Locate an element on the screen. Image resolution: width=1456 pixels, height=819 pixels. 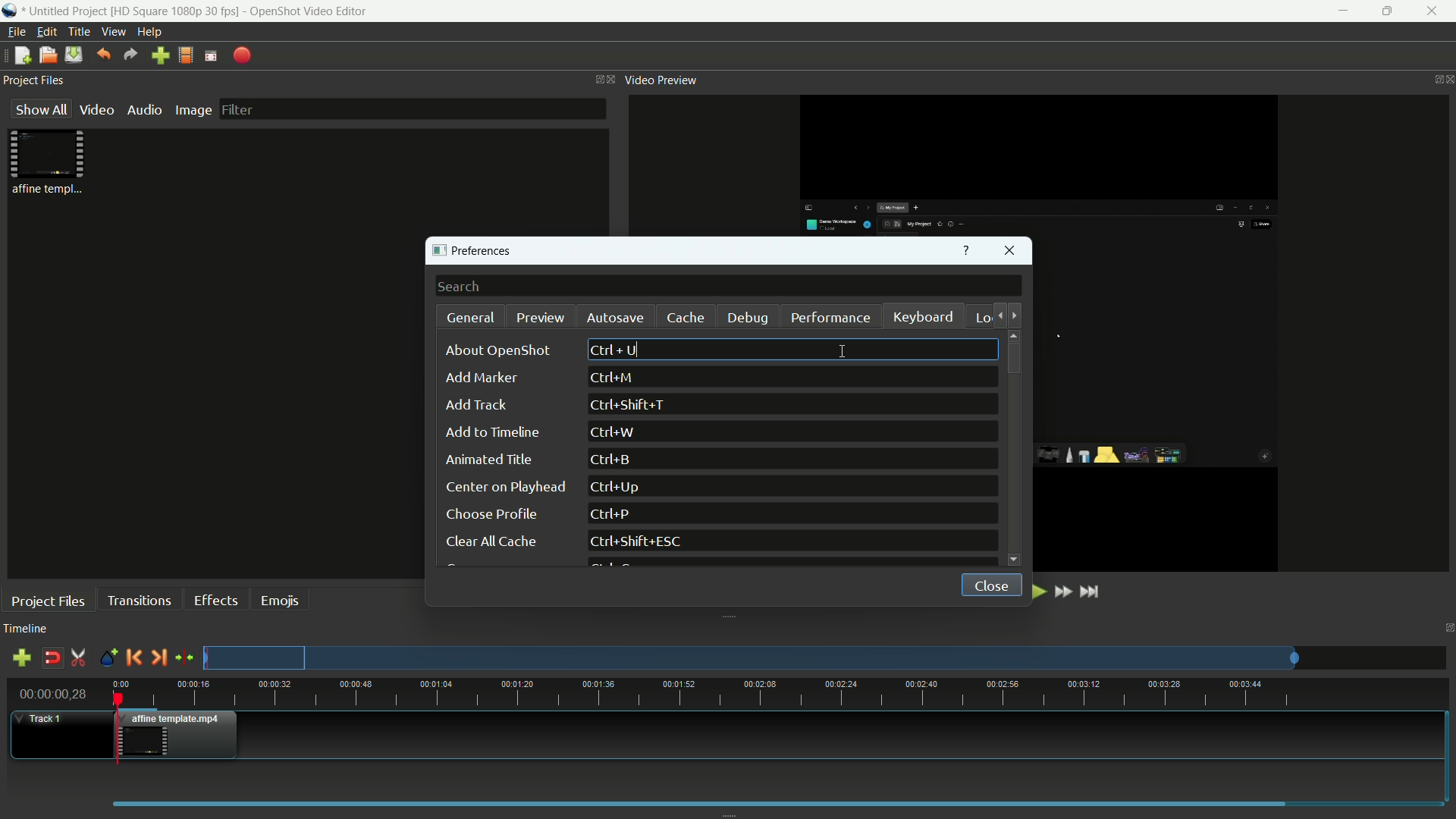
project name is located at coordinates (67, 12).